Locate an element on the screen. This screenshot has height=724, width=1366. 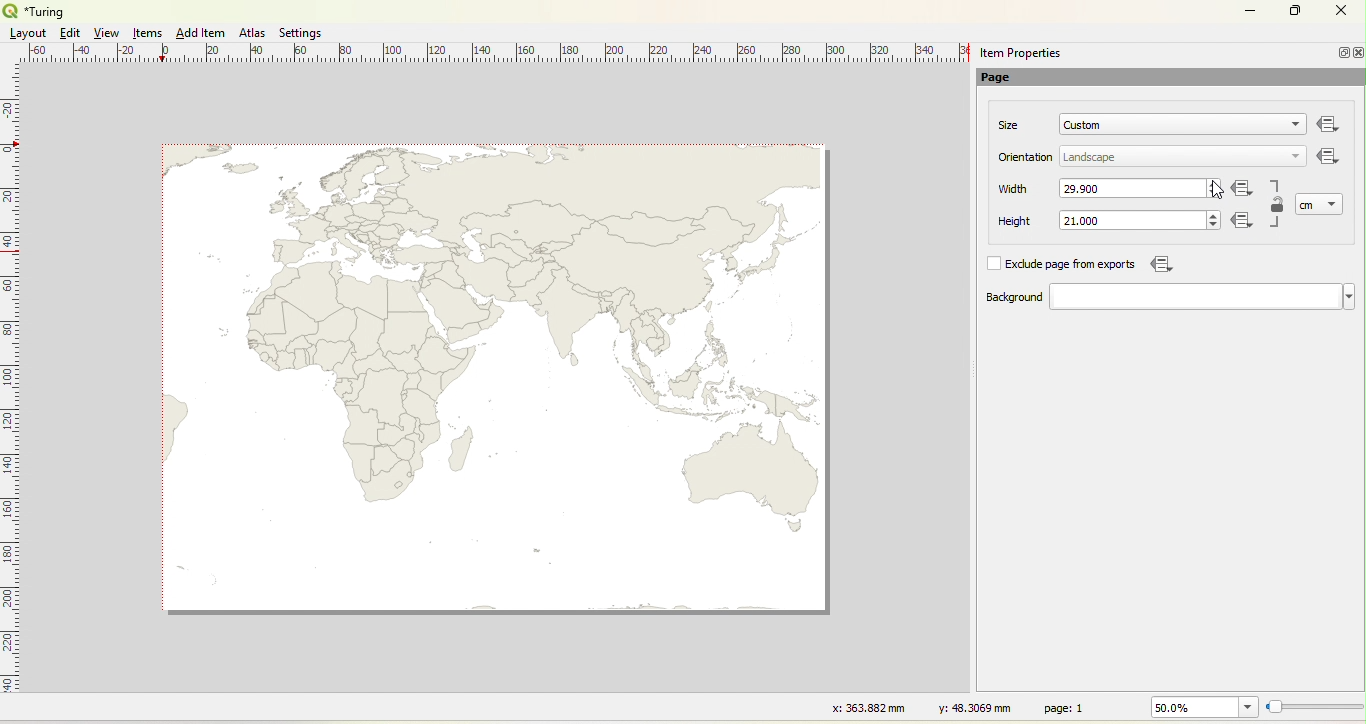
50.0% is located at coordinates (1201, 707).